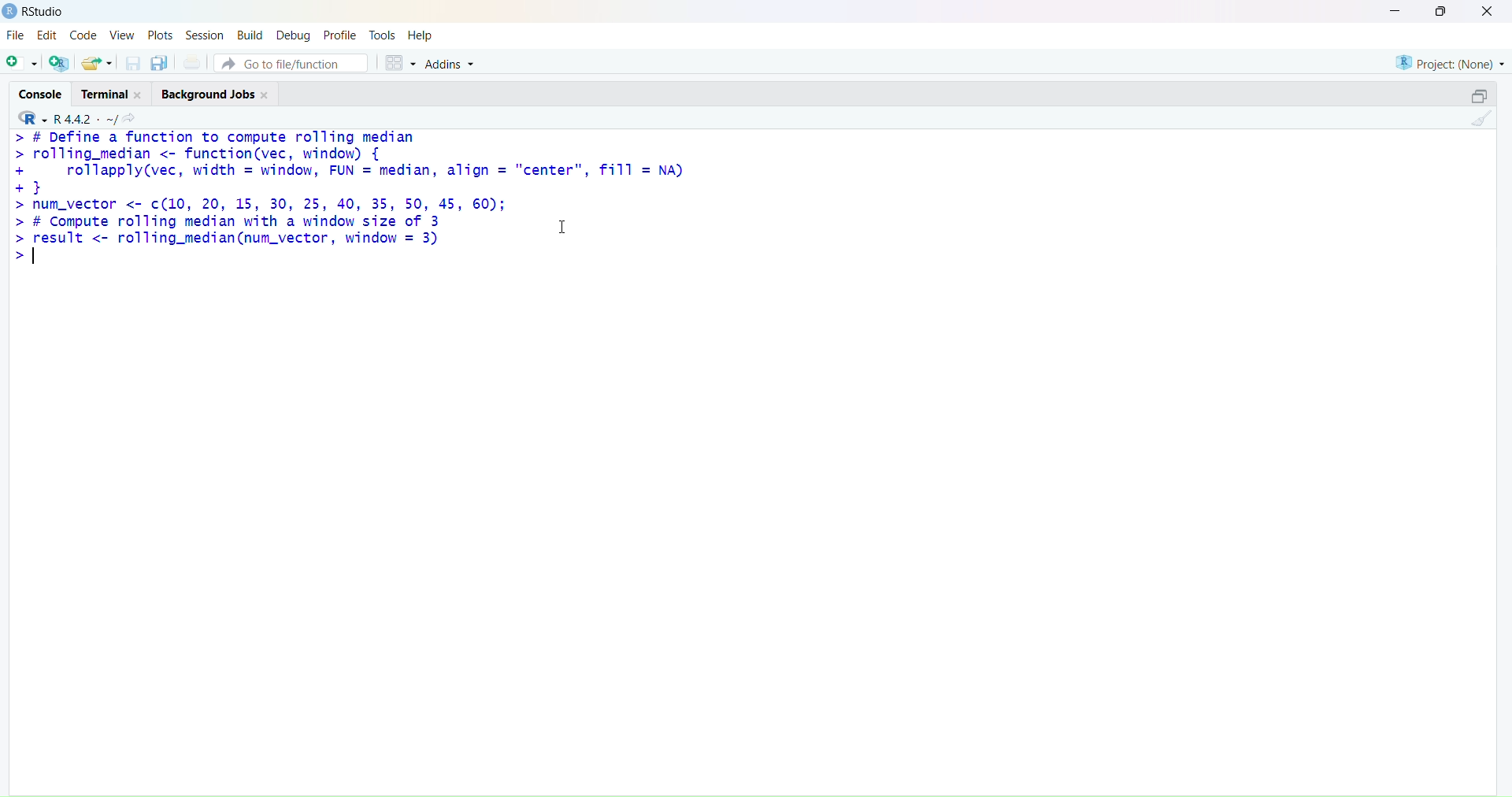  I want to click on logo, so click(11, 11).